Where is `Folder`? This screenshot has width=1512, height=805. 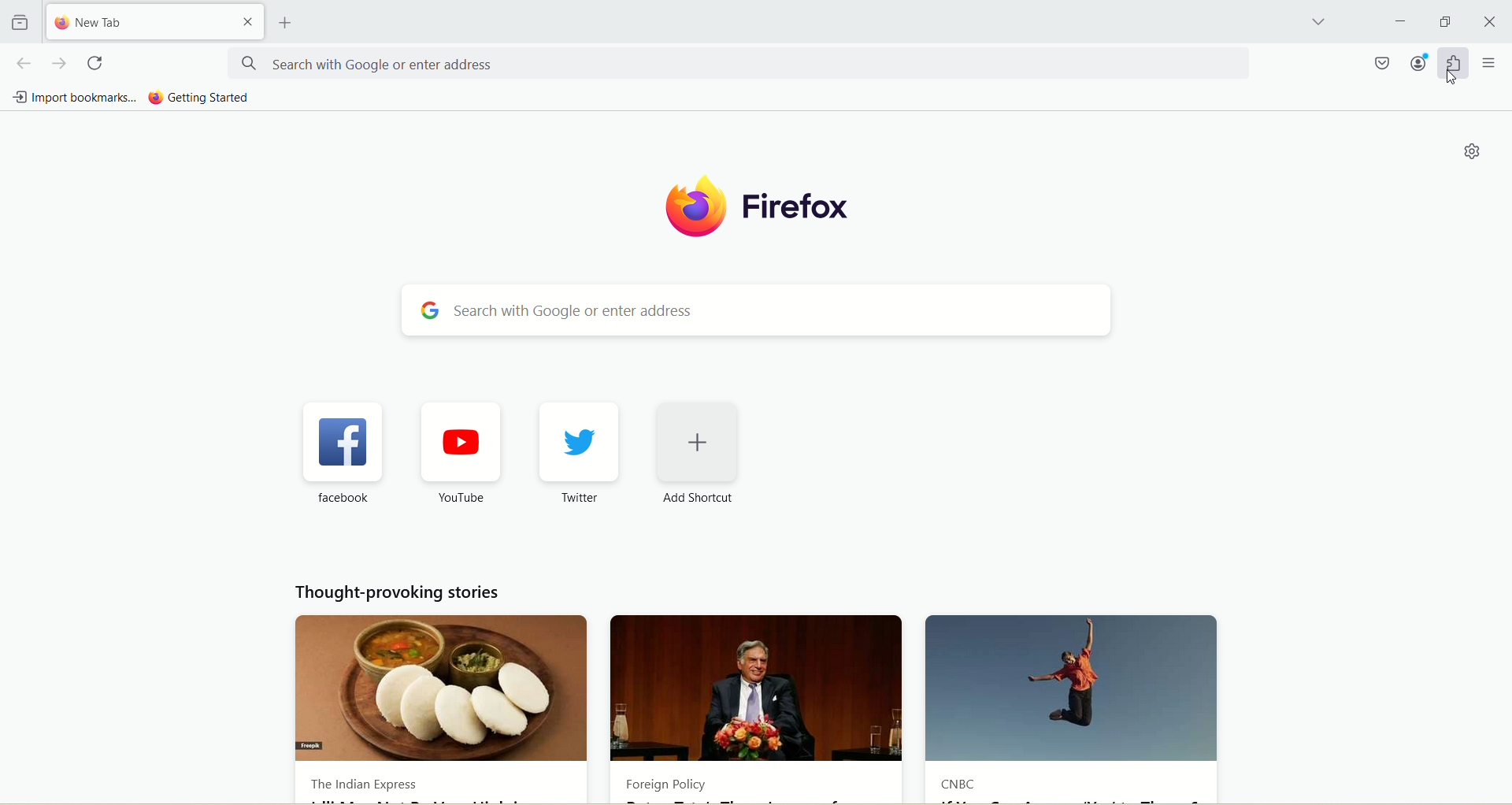
Folder is located at coordinates (19, 23).